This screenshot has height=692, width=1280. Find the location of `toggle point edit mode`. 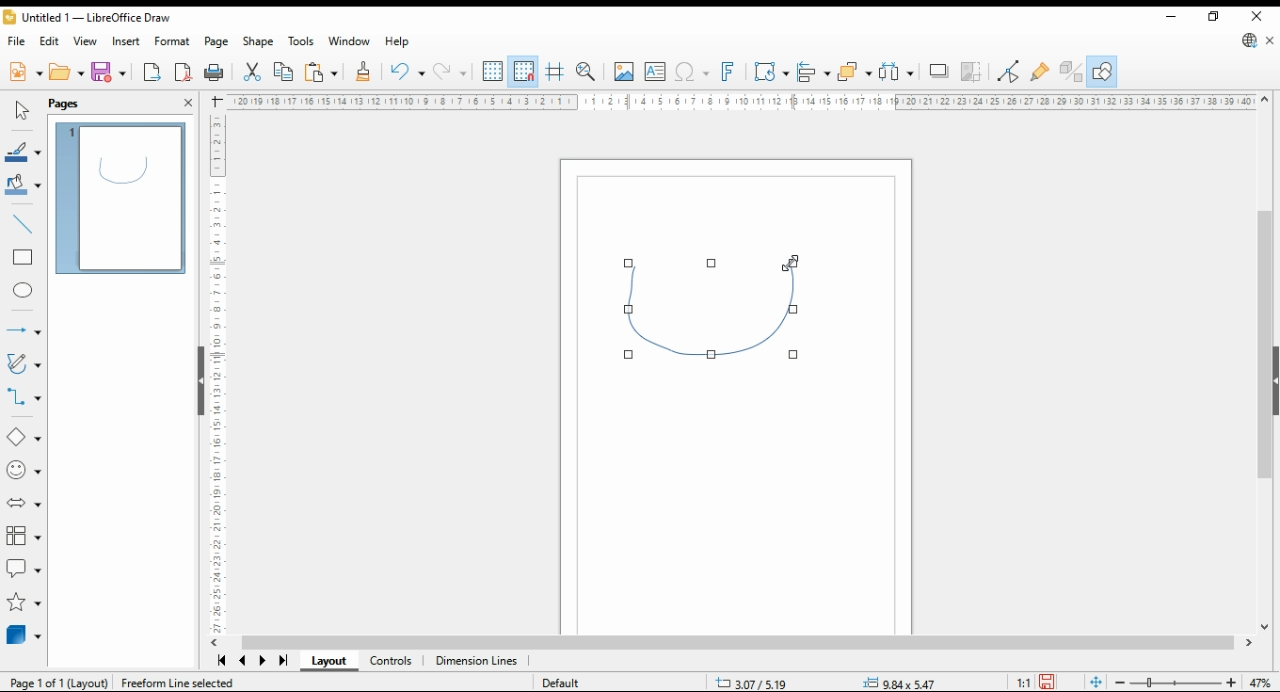

toggle point edit mode is located at coordinates (1009, 72).